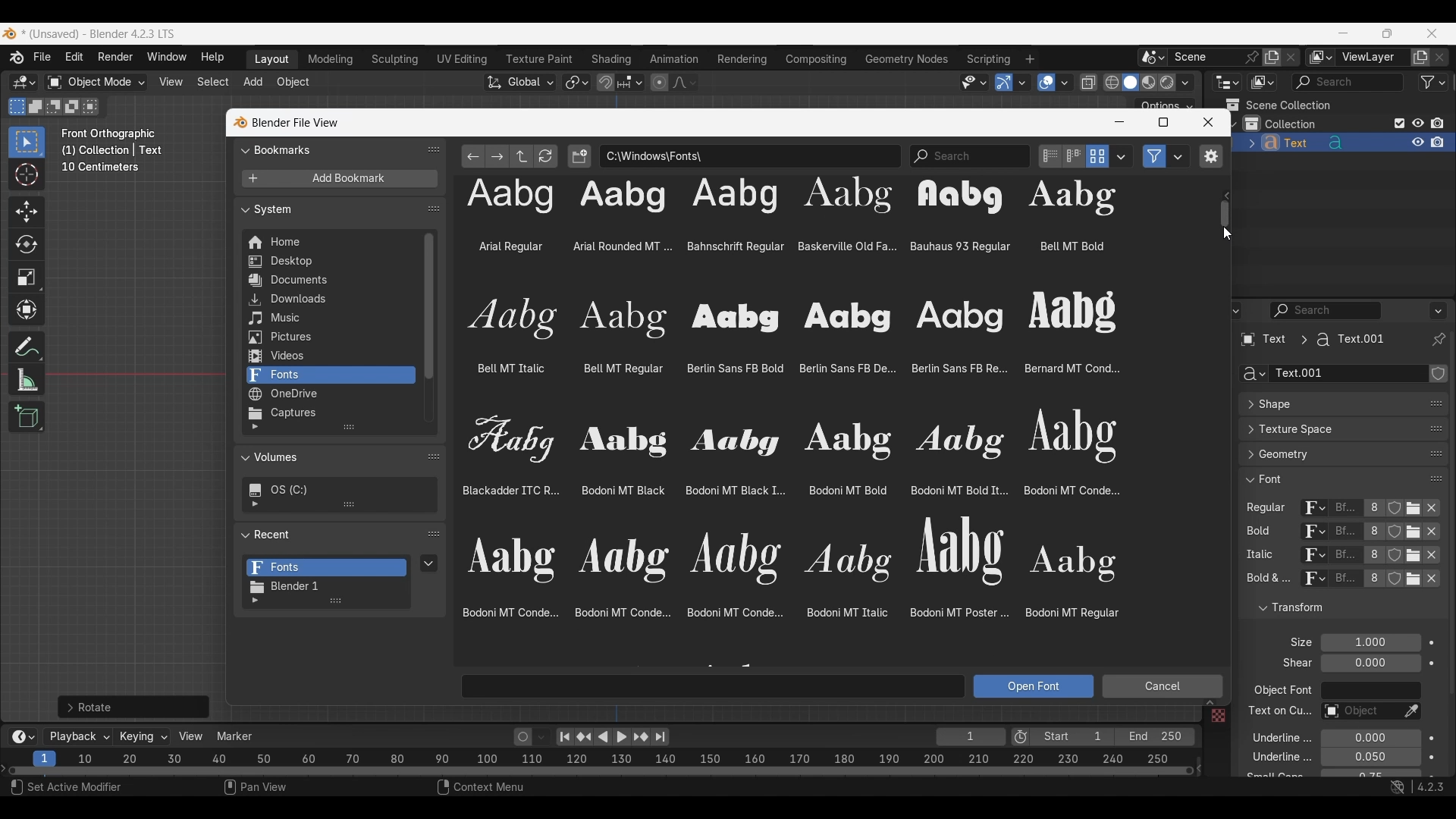 This screenshot has width=1456, height=819. I want to click on More about Blender, so click(17, 58).